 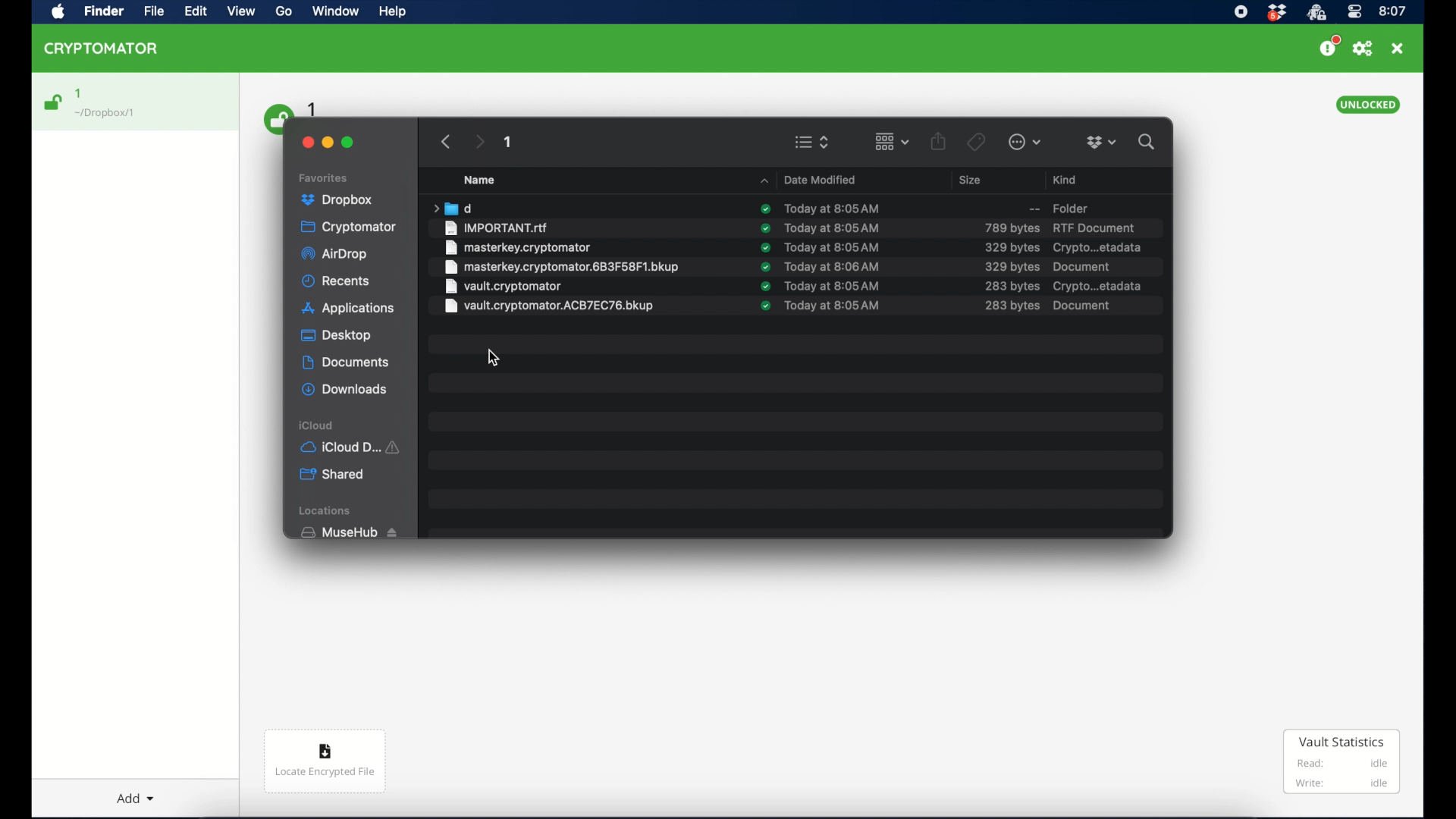 What do you see at coordinates (1276, 13) in the screenshot?
I see `dropbox icon` at bounding box center [1276, 13].